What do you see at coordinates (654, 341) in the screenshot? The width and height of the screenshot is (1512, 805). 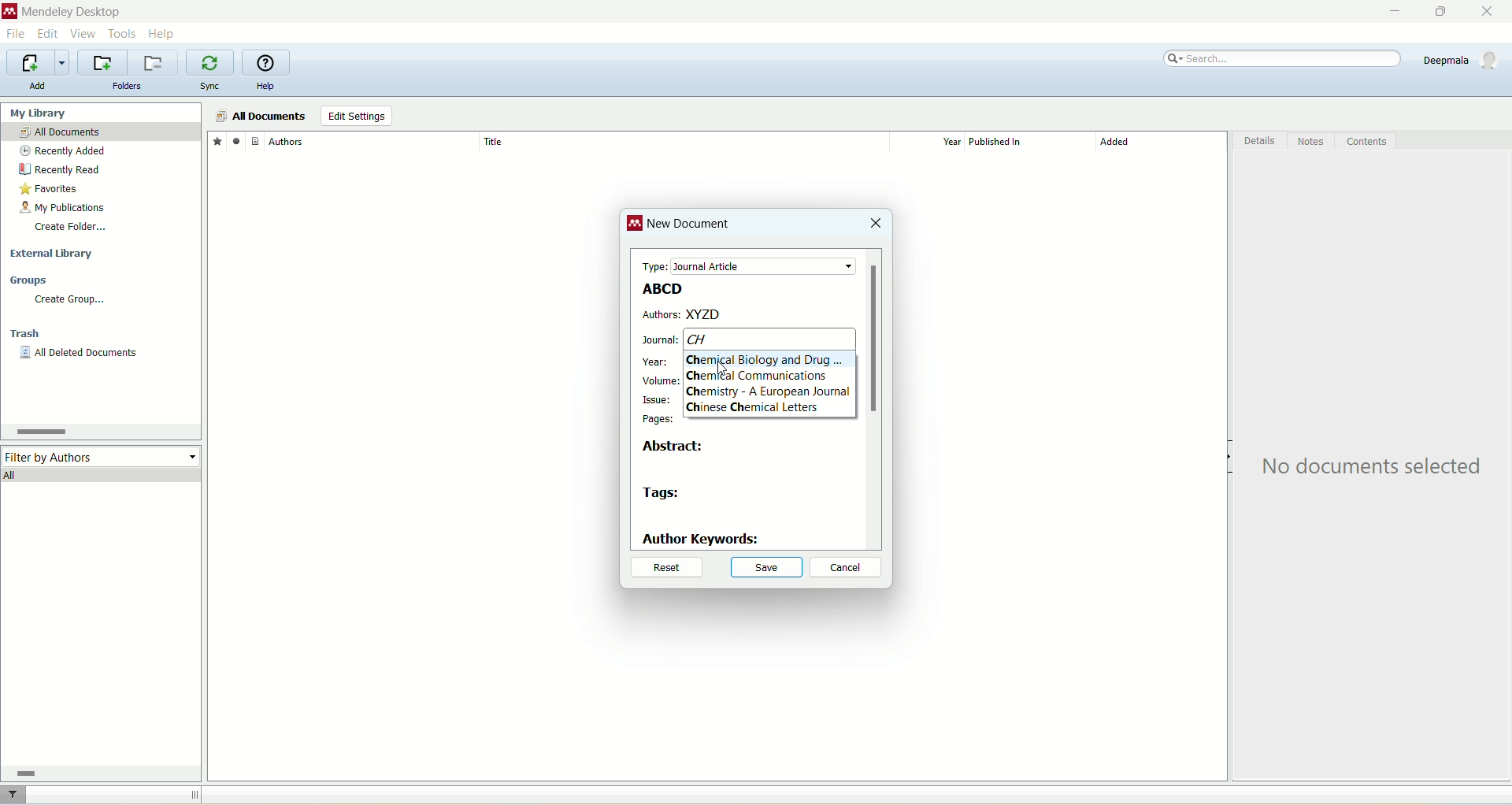 I see `journal` at bounding box center [654, 341].